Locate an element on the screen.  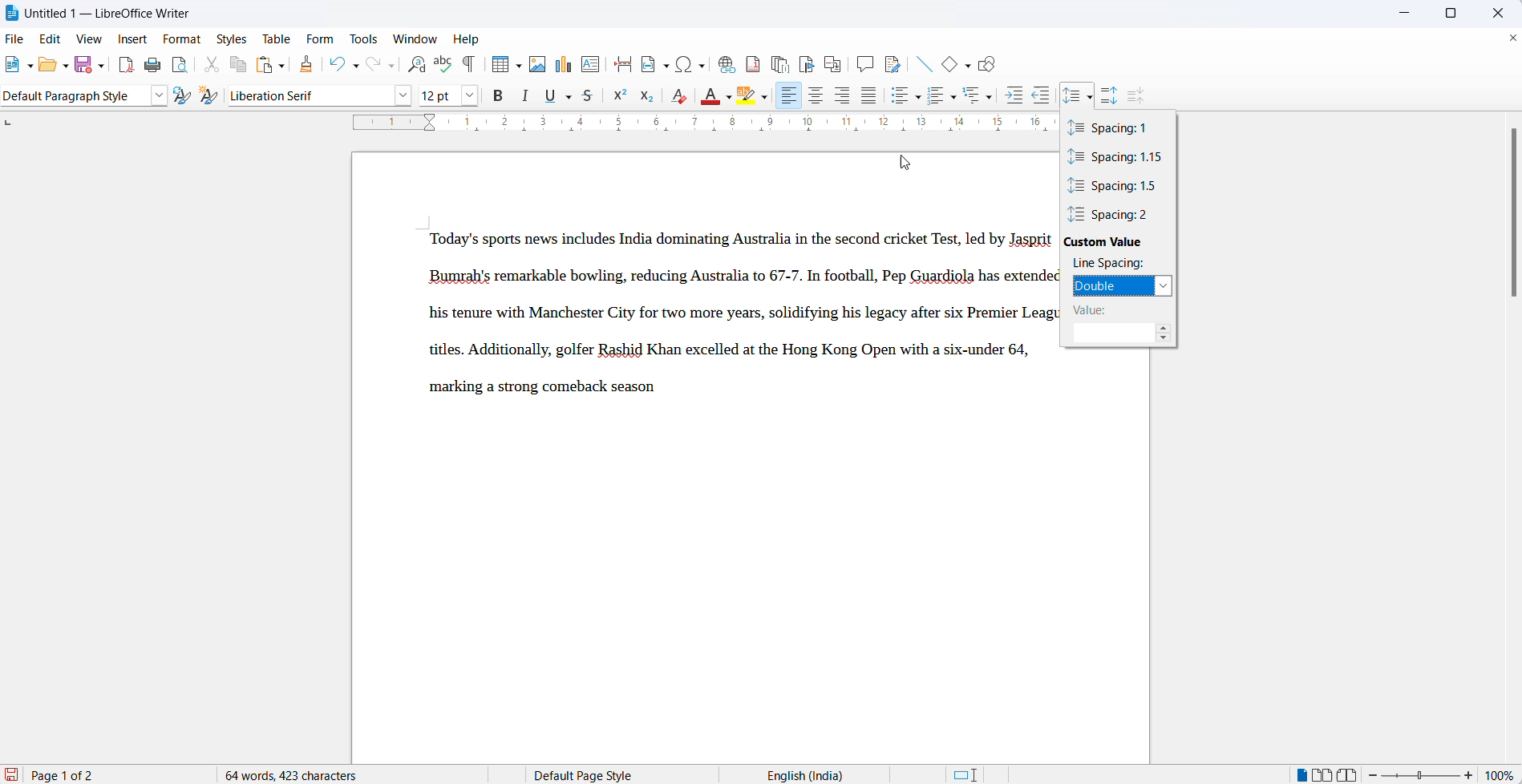
spellings is located at coordinates (443, 65).